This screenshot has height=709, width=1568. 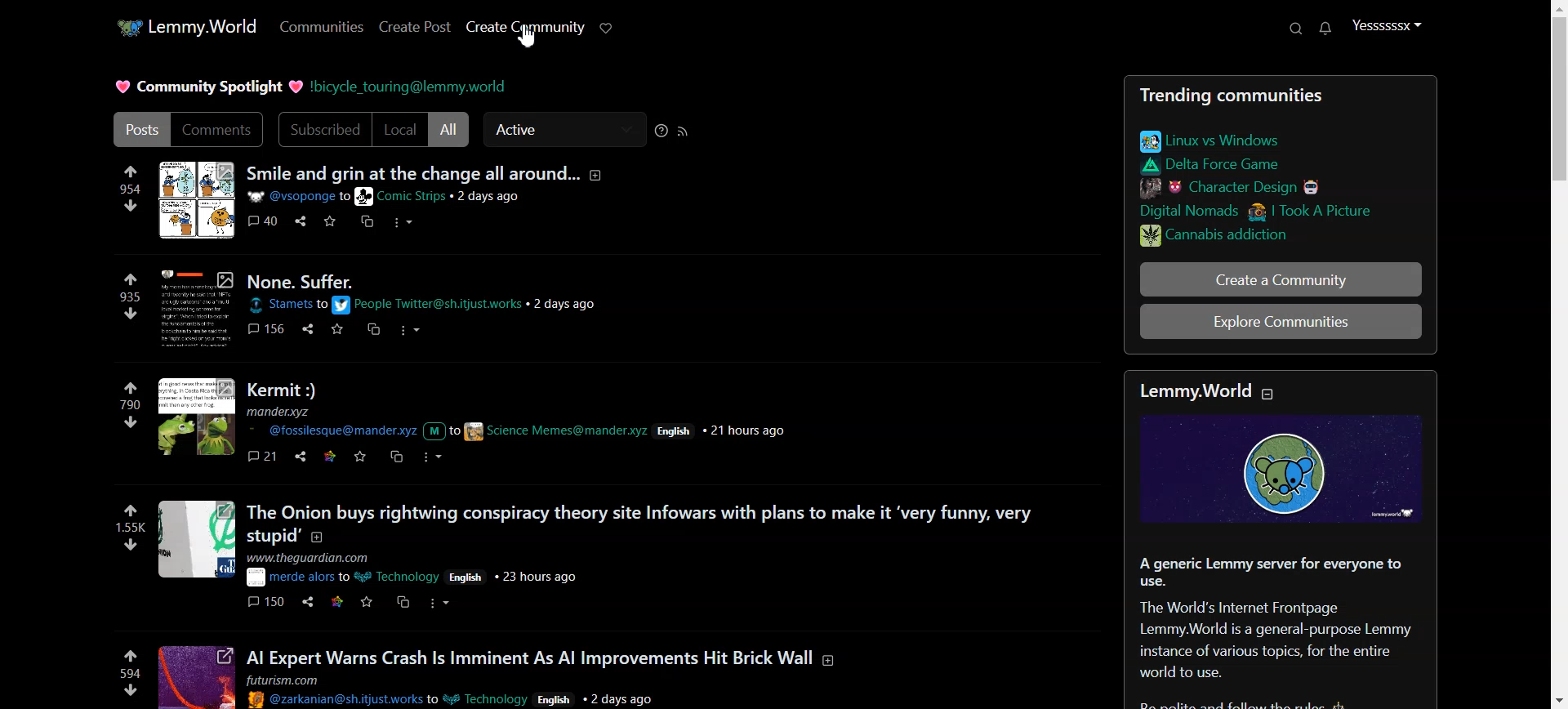 I want to click on cursor, so click(x=532, y=38).